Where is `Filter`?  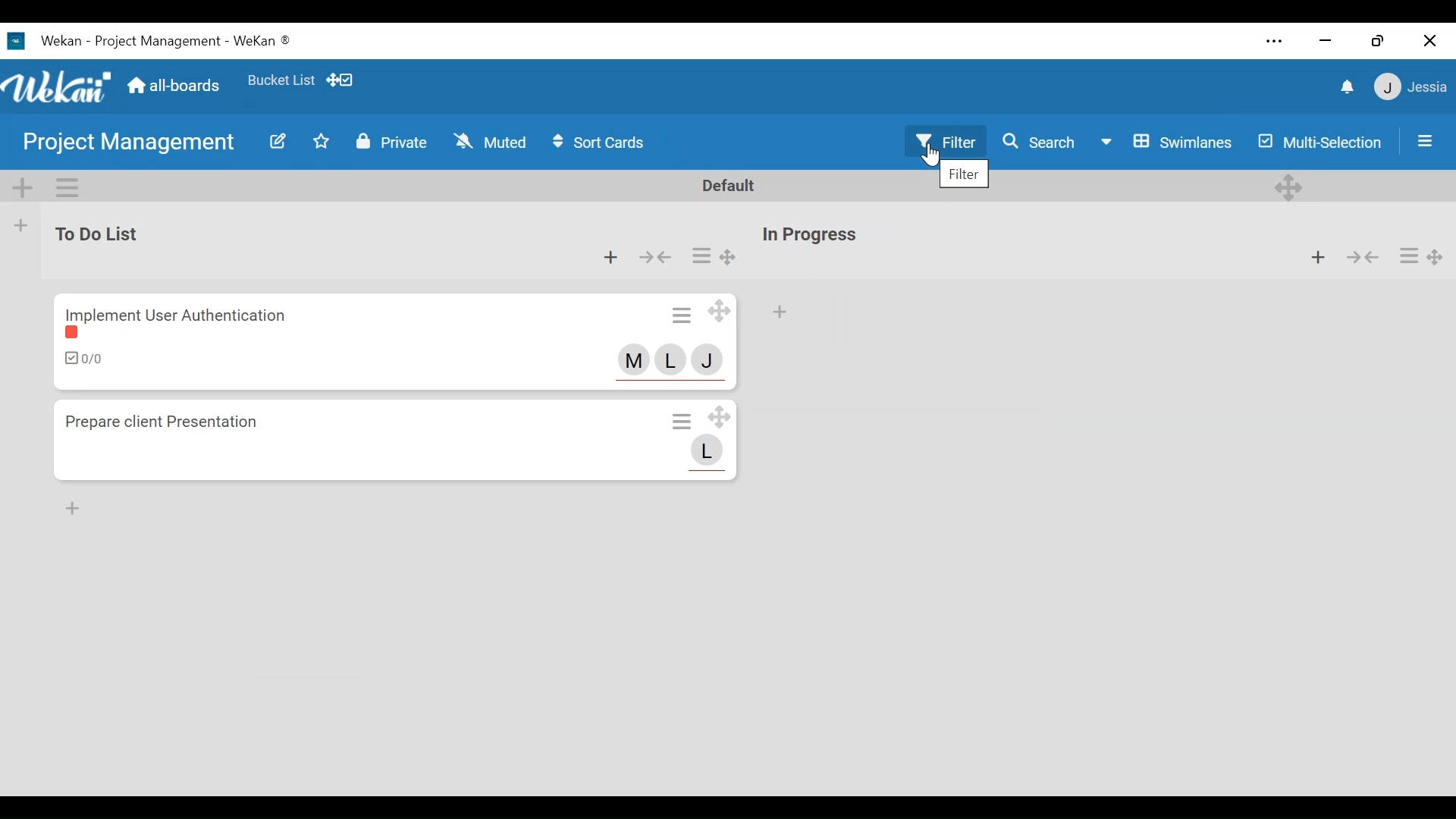
Filter is located at coordinates (941, 141).